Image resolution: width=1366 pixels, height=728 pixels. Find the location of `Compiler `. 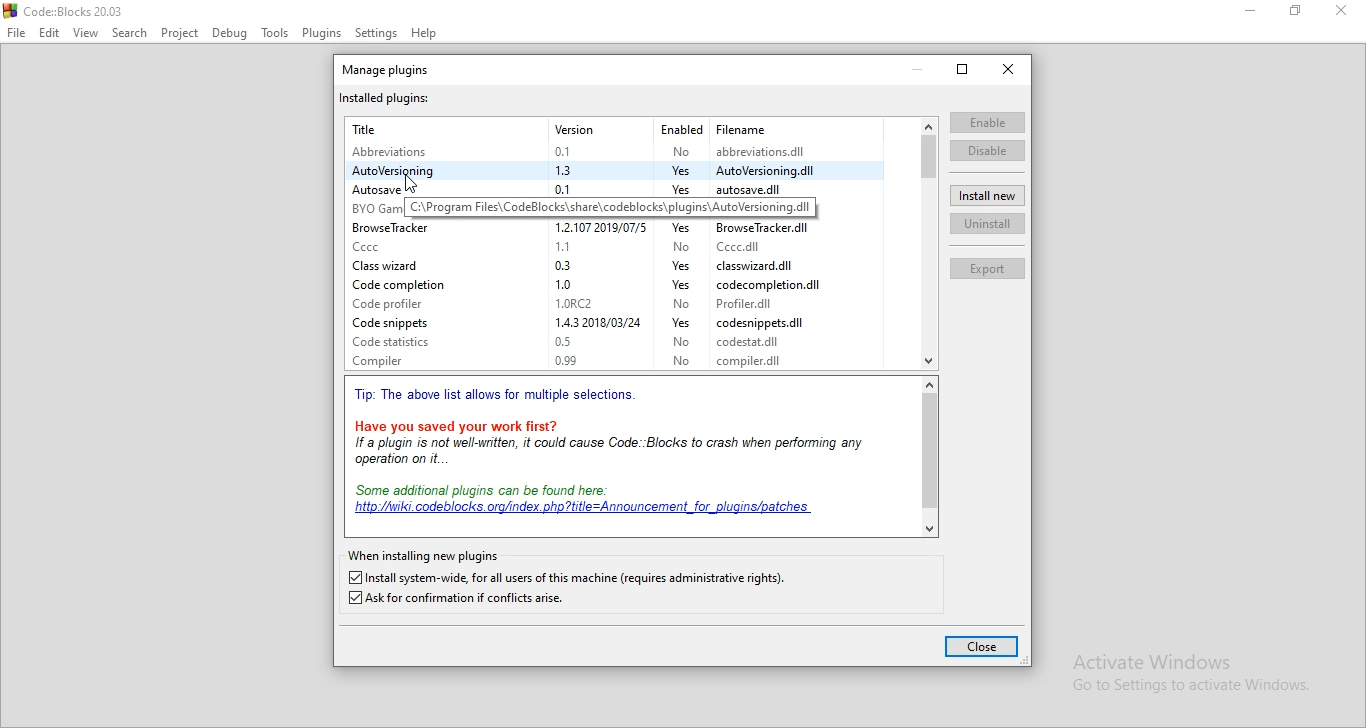

Compiler  is located at coordinates (406, 360).